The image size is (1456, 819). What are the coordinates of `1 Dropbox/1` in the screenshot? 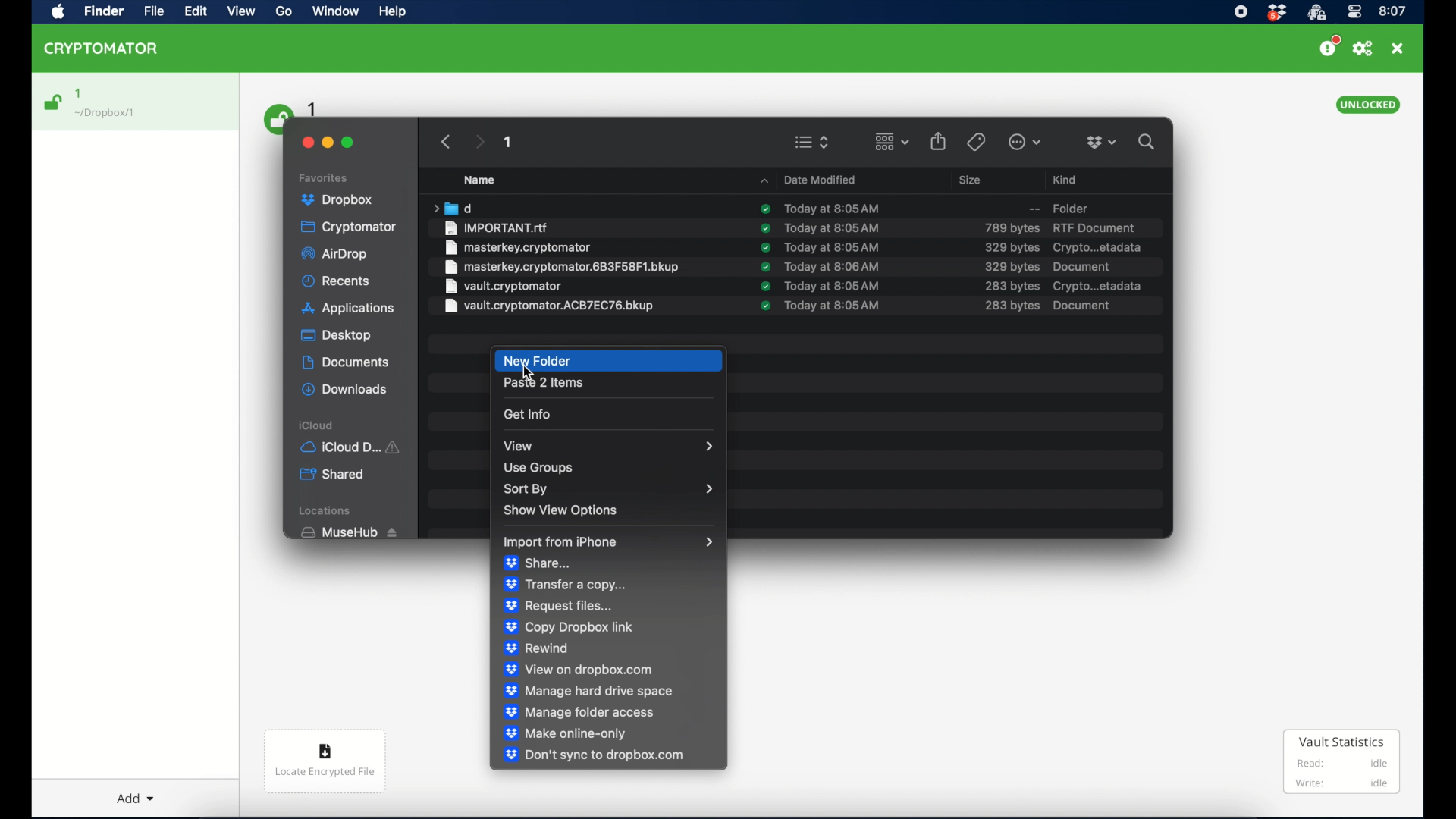 It's located at (115, 104).